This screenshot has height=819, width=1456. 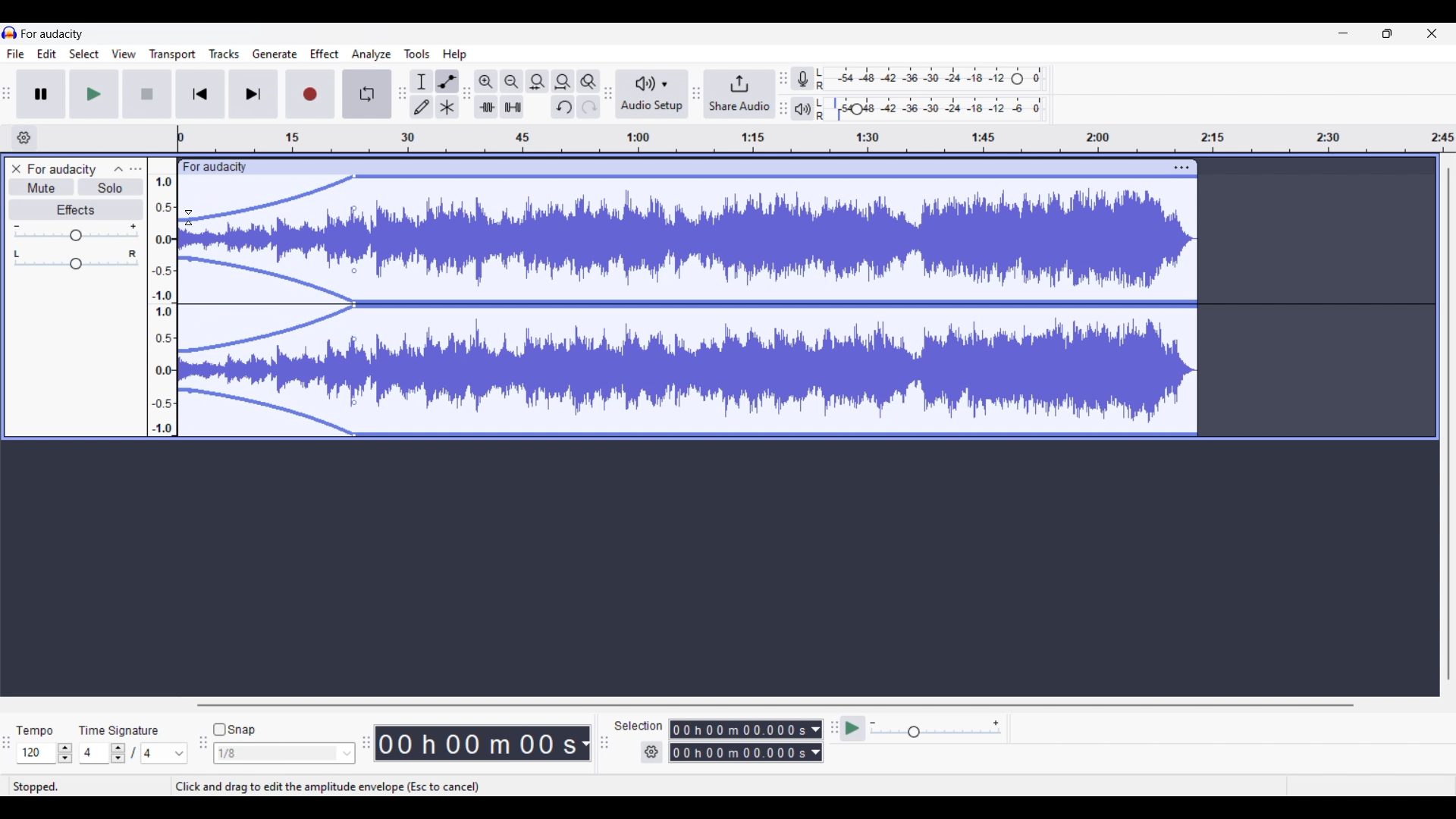 I want to click on click to move, so click(x=710, y=167).